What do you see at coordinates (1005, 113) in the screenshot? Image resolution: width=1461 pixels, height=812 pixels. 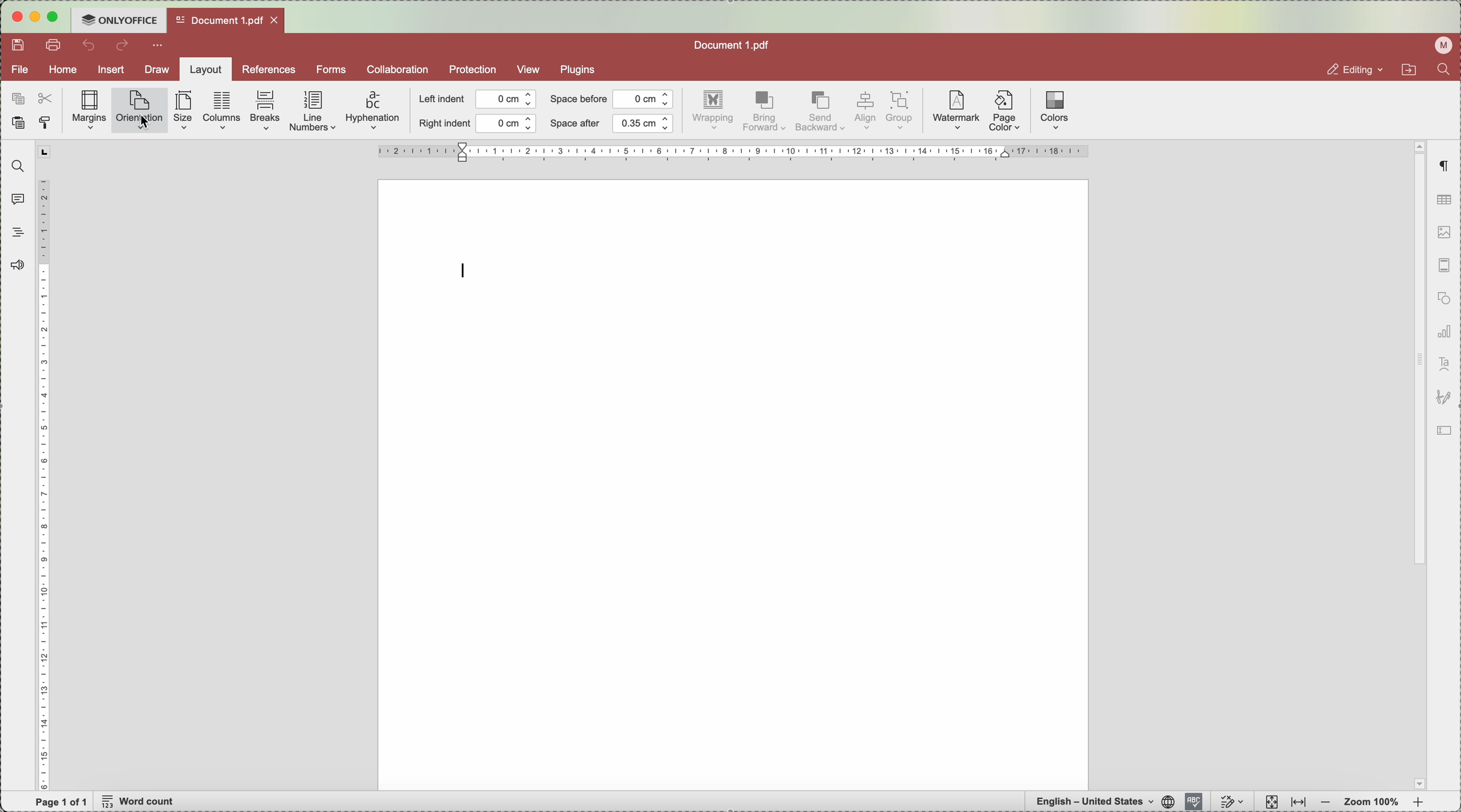 I see `page color` at bounding box center [1005, 113].